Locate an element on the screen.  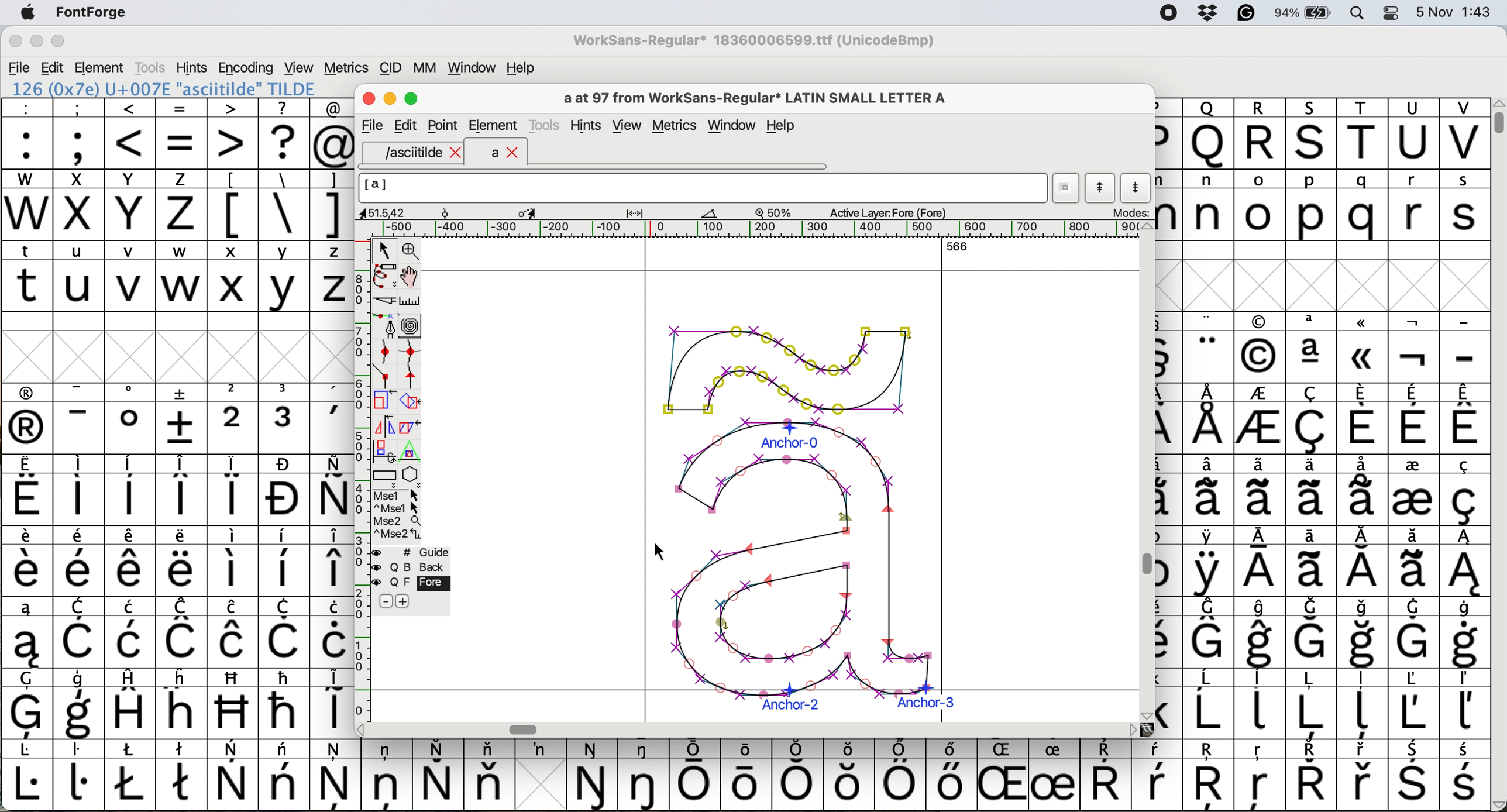
tools is located at coordinates (546, 123).